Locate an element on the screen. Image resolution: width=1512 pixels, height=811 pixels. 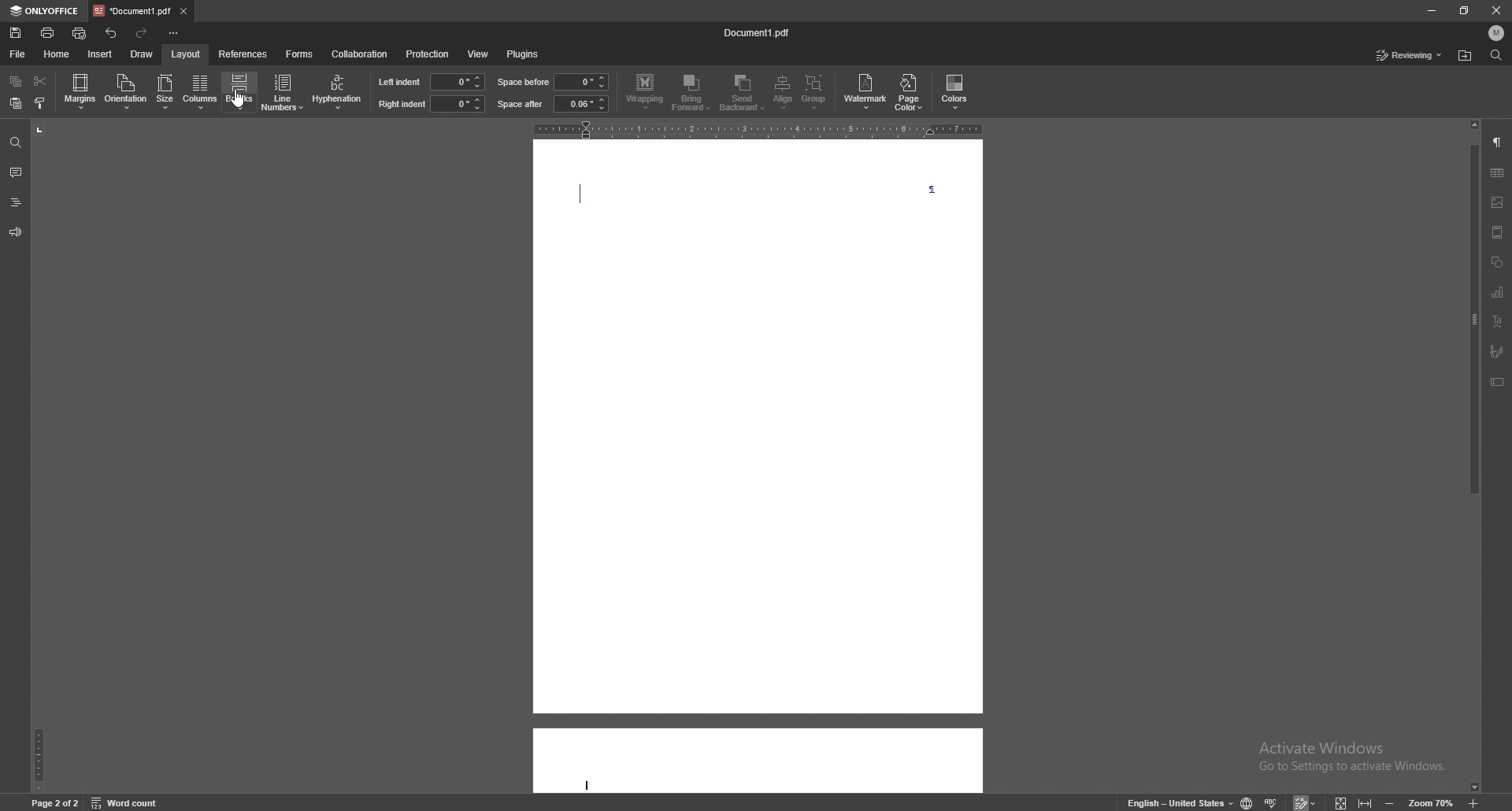
headings is located at coordinates (17, 202).